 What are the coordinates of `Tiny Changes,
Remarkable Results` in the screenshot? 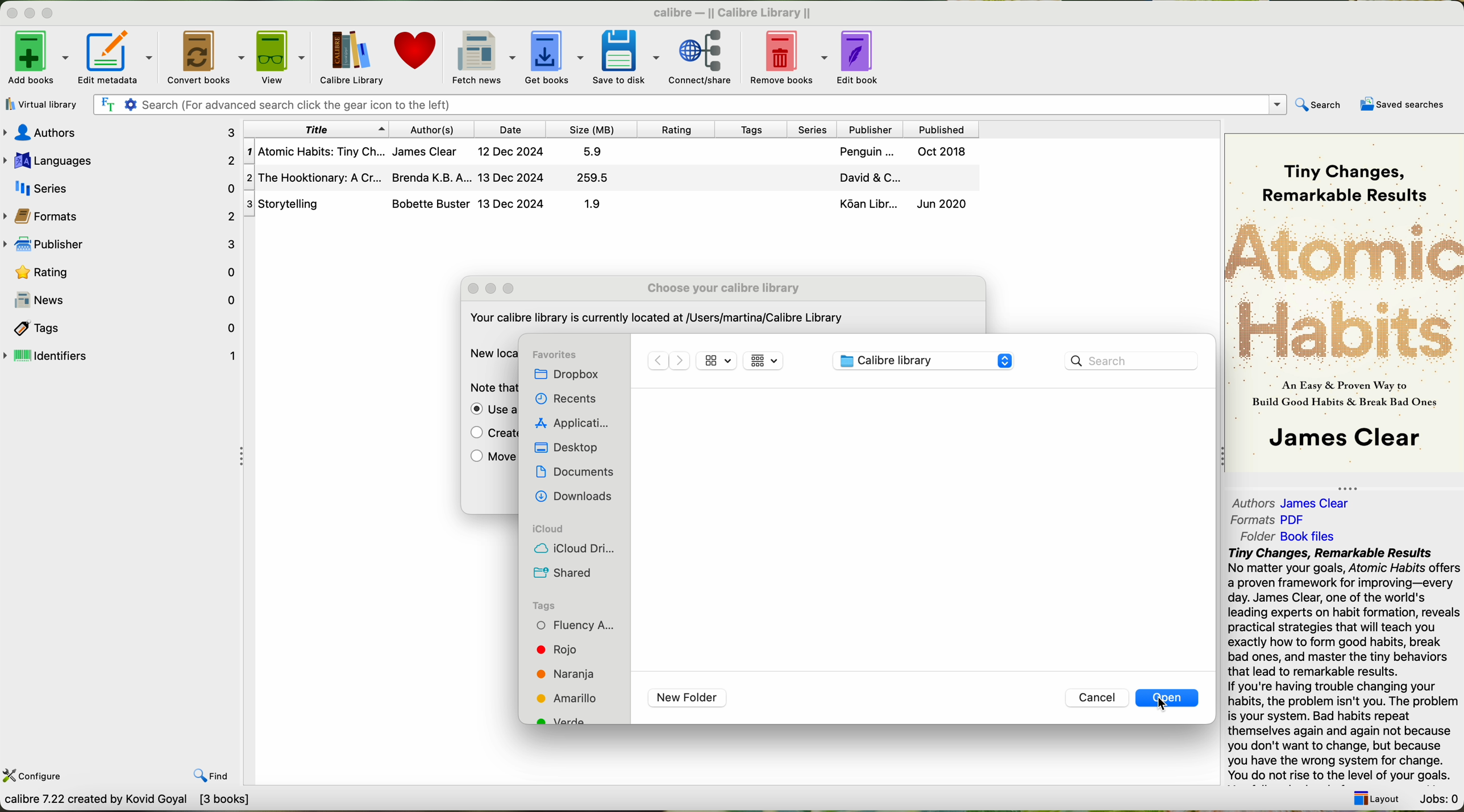 It's located at (1340, 173).